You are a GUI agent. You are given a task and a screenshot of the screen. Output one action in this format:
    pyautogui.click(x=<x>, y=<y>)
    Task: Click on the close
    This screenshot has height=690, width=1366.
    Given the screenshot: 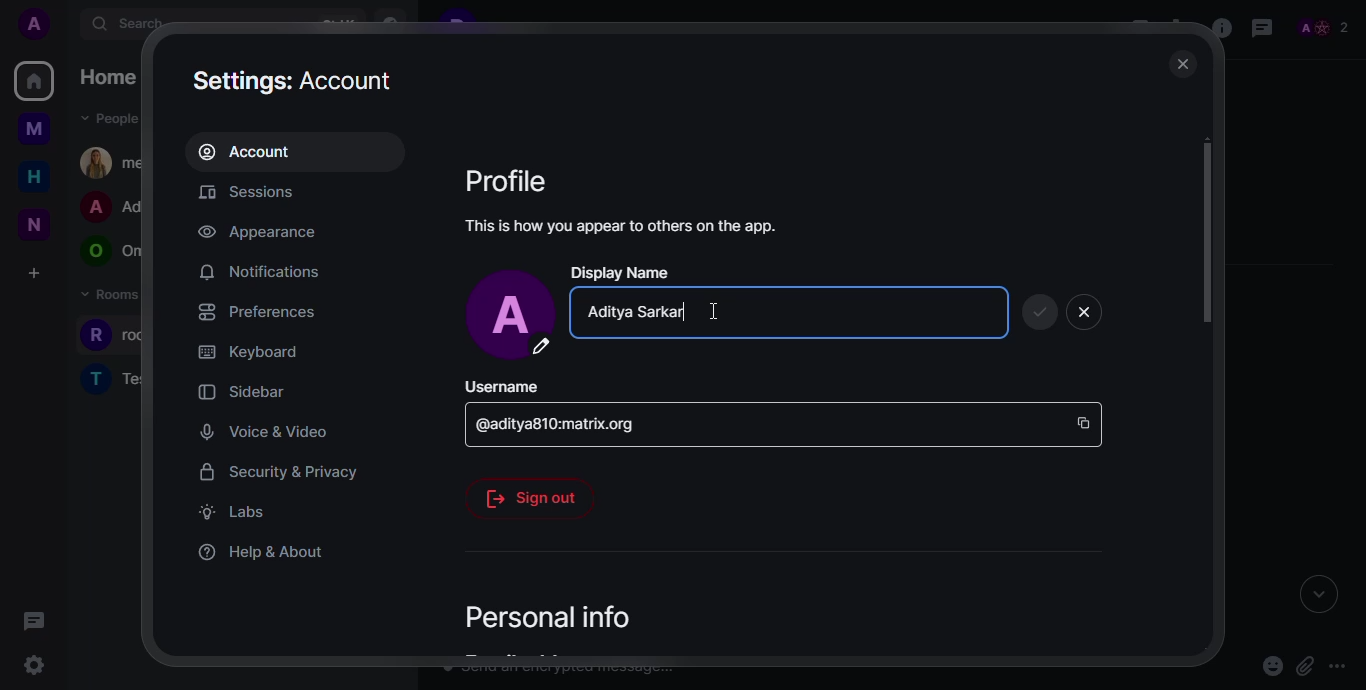 What is the action you would take?
    pyautogui.click(x=1089, y=312)
    